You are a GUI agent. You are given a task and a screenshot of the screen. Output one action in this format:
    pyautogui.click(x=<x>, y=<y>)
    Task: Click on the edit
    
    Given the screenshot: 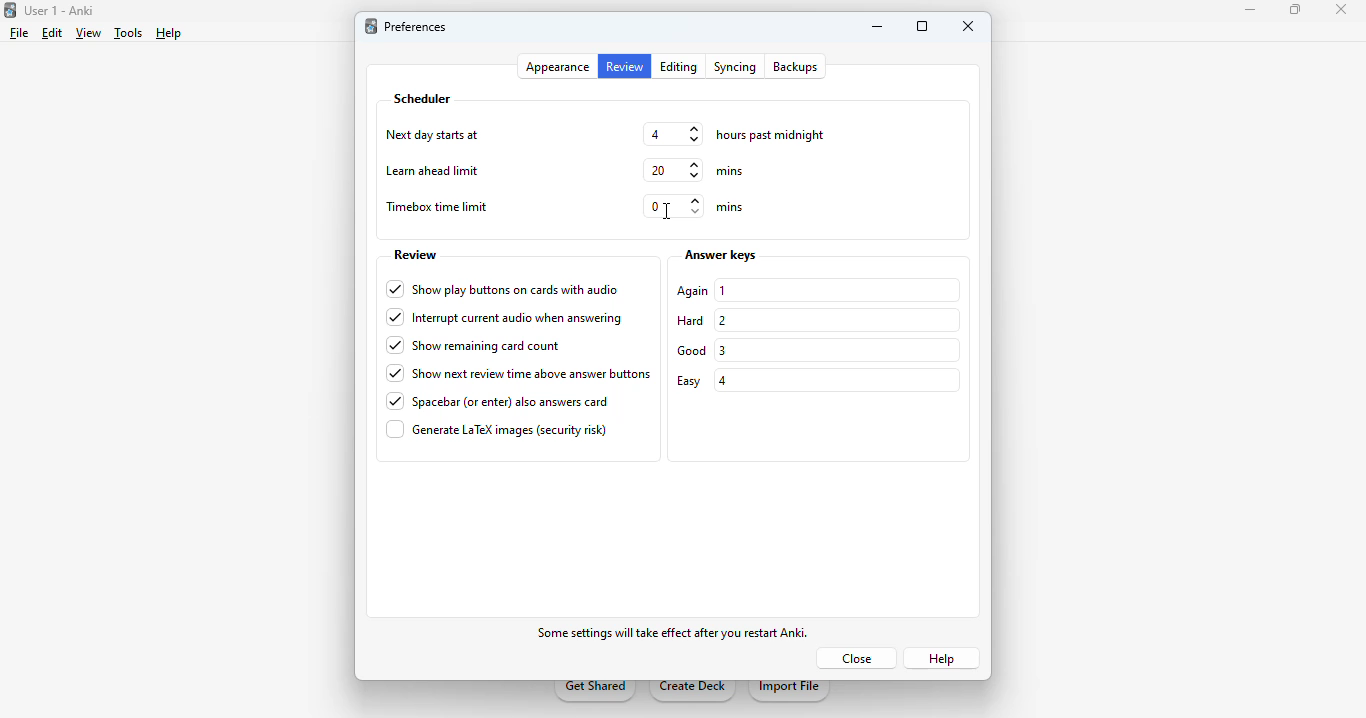 What is the action you would take?
    pyautogui.click(x=54, y=33)
    